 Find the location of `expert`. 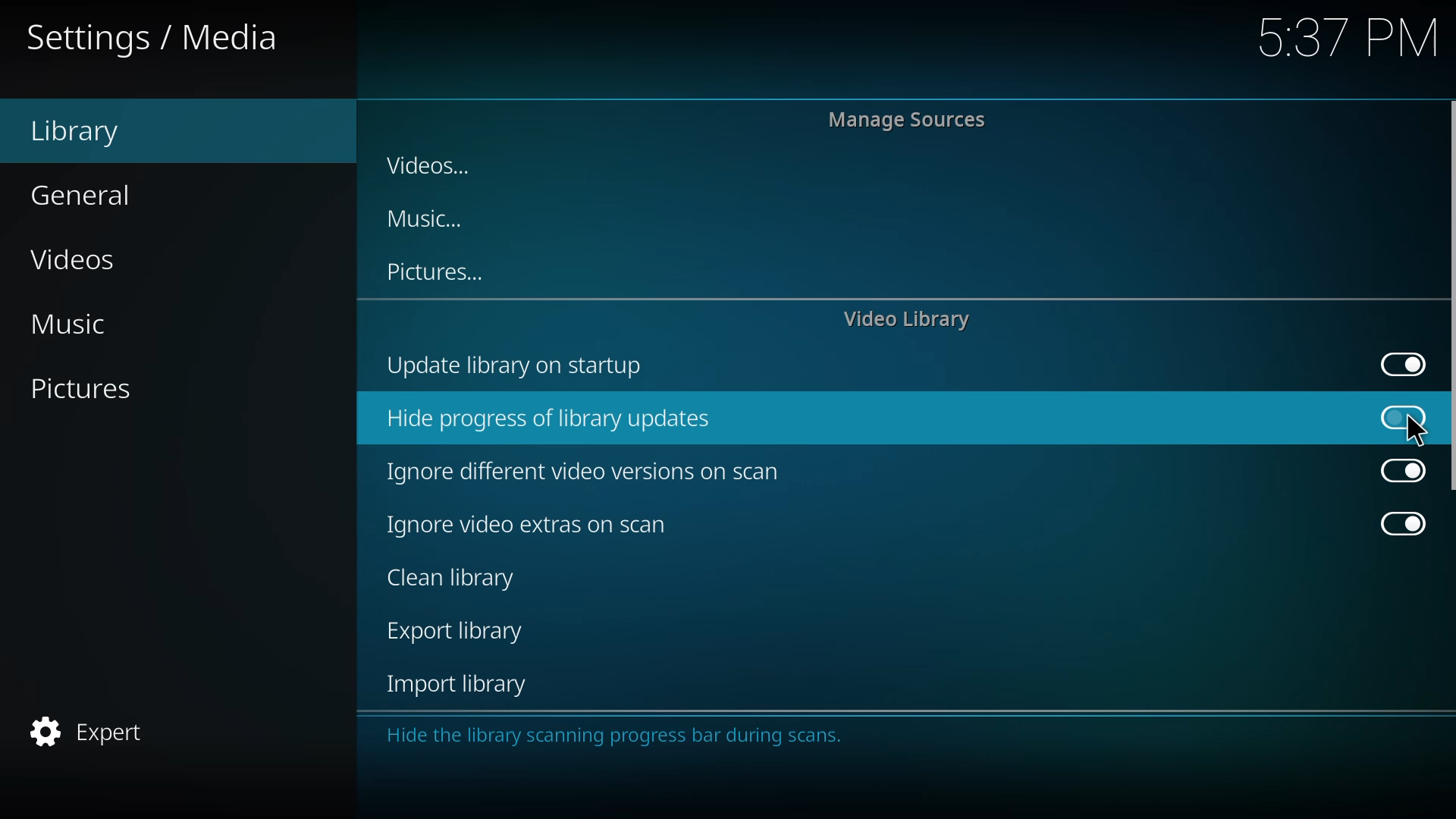

expert is located at coordinates (93, 732).